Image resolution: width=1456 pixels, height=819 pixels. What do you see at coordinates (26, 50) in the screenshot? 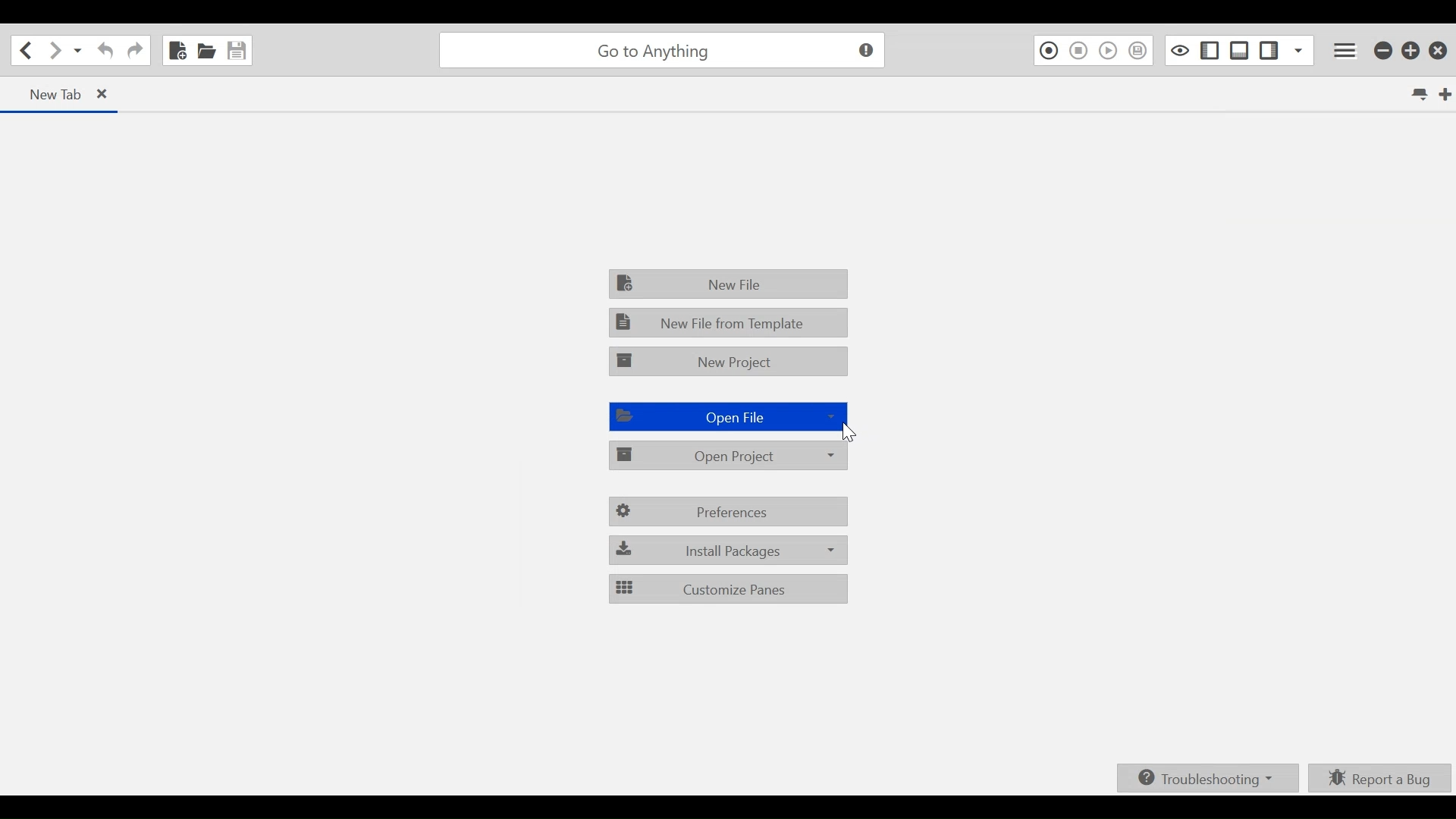
I see `Go back one location` at bounding box center [26, 50].